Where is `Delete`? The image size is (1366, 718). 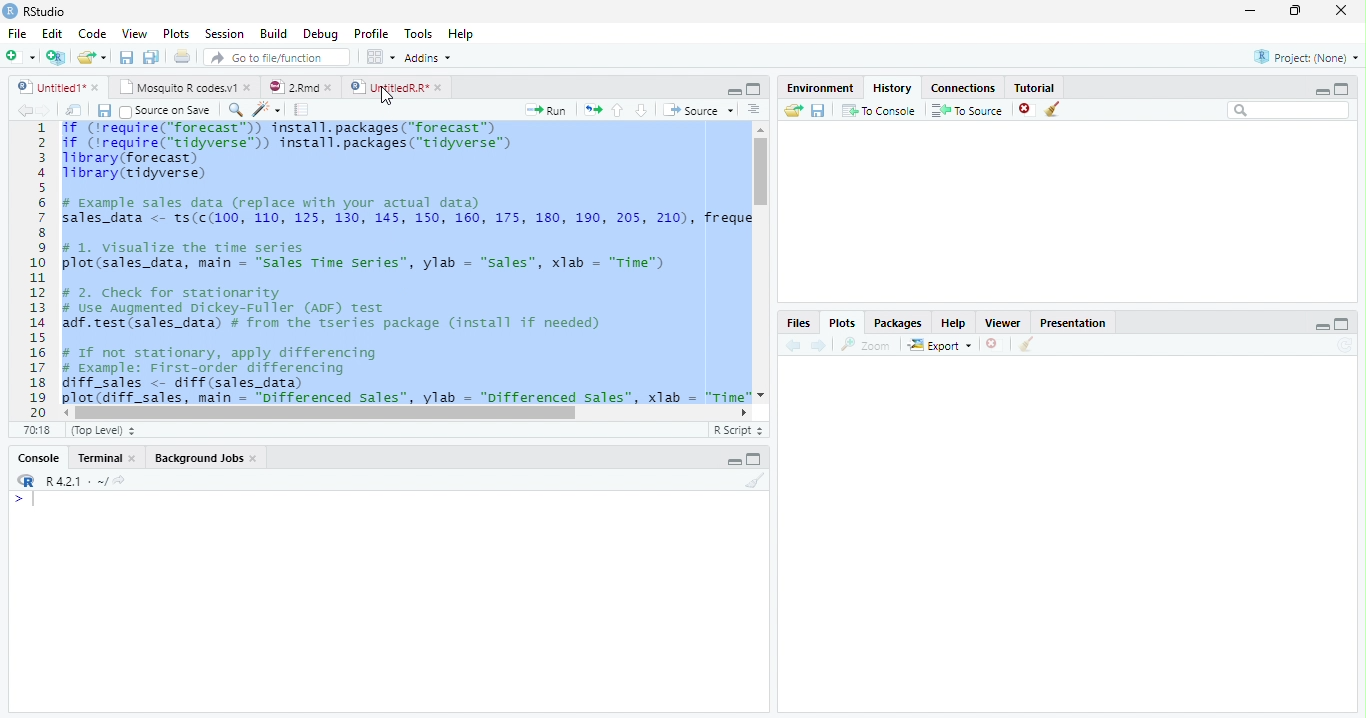
Delete is located at coordinates (1025, 107).